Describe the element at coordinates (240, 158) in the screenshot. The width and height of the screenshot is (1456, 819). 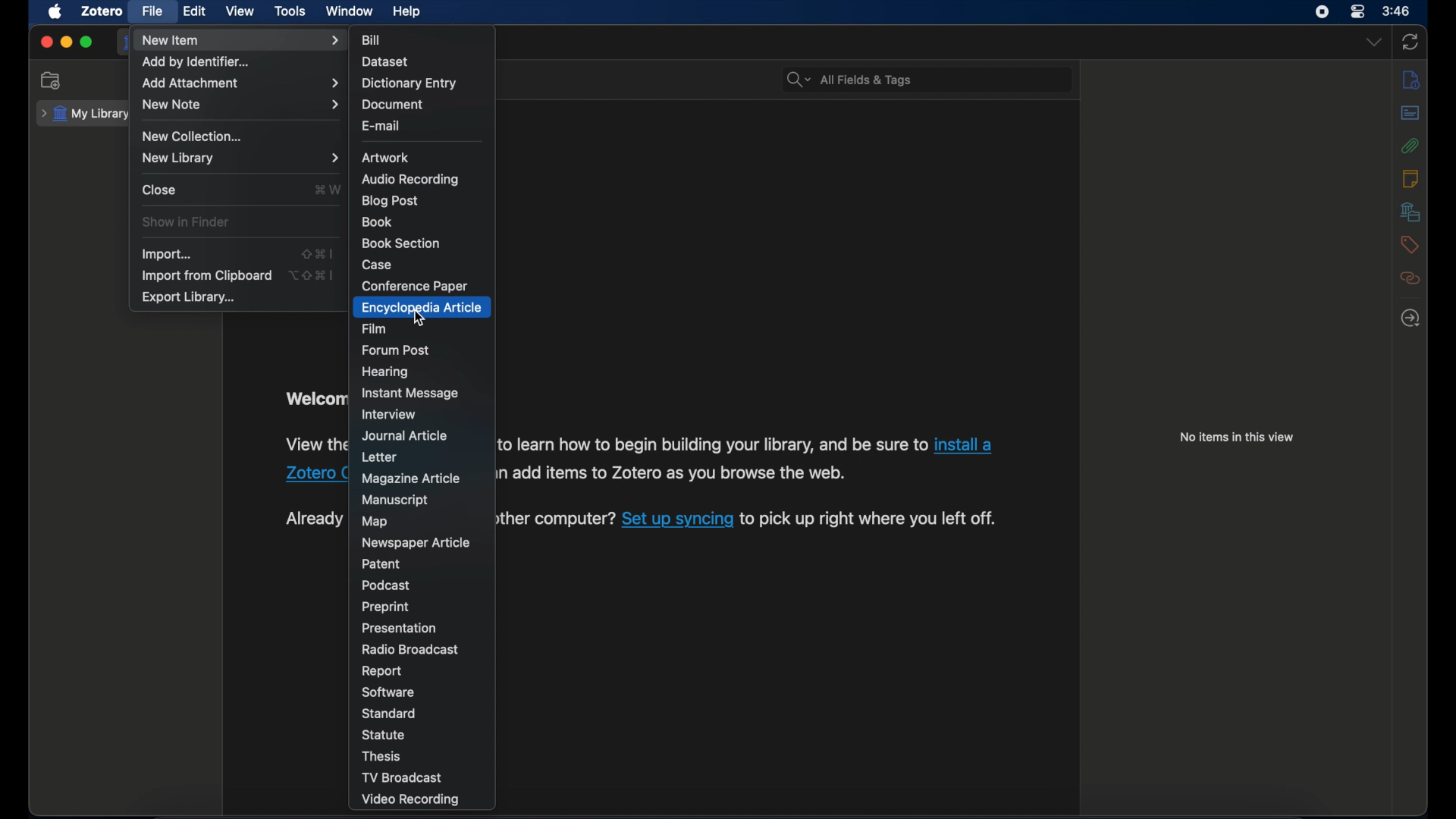
I see `new library` at that location.